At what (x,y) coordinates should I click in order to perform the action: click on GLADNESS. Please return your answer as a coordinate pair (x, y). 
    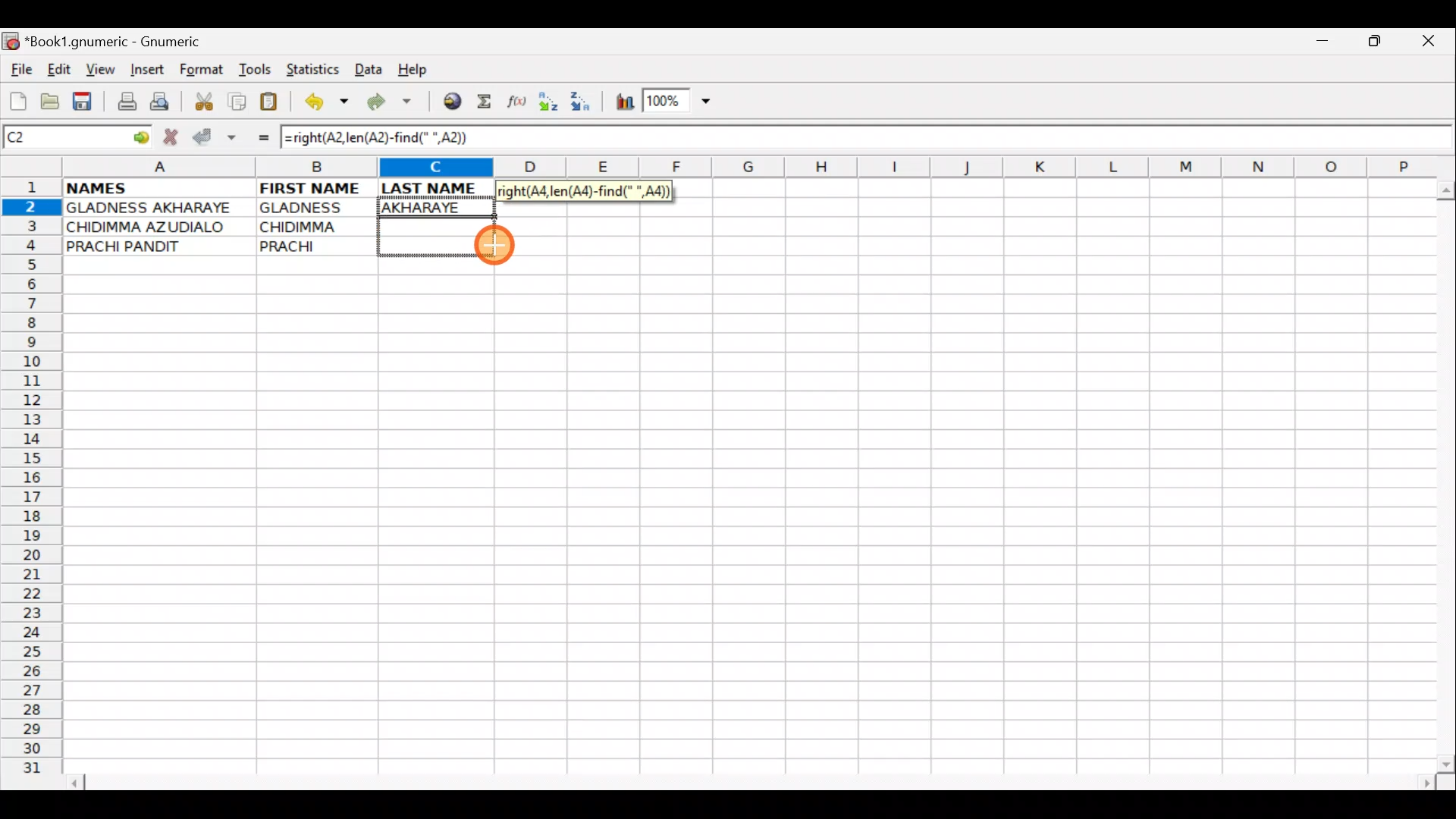
    Looking at the image, I should click on (313, 208).